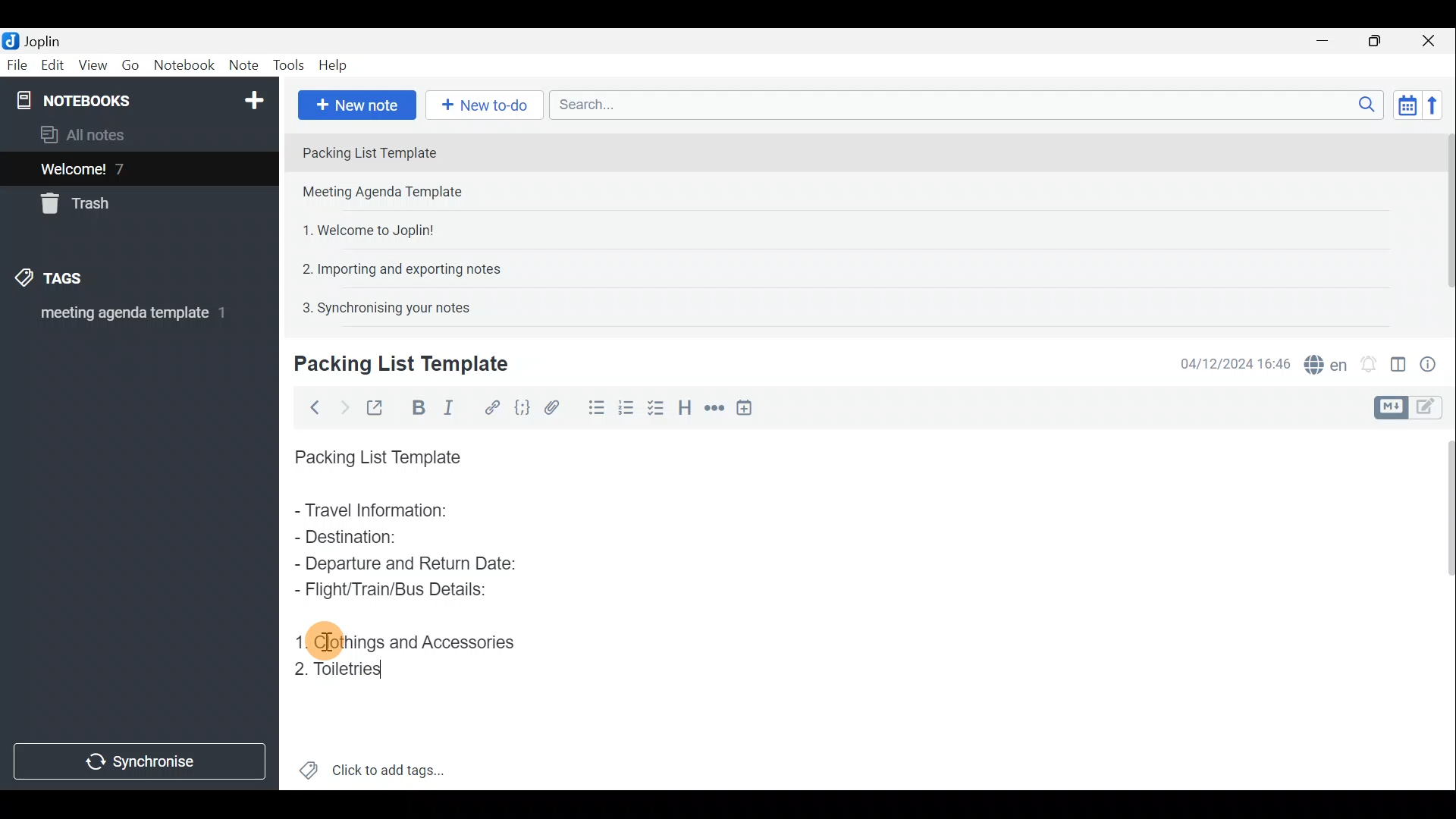 Image resolution: width=1456 pixels, height=819 pixels. Describe the element at coordinates (376, 406) in the screenshot. I see `Toggle external editing` at that location.